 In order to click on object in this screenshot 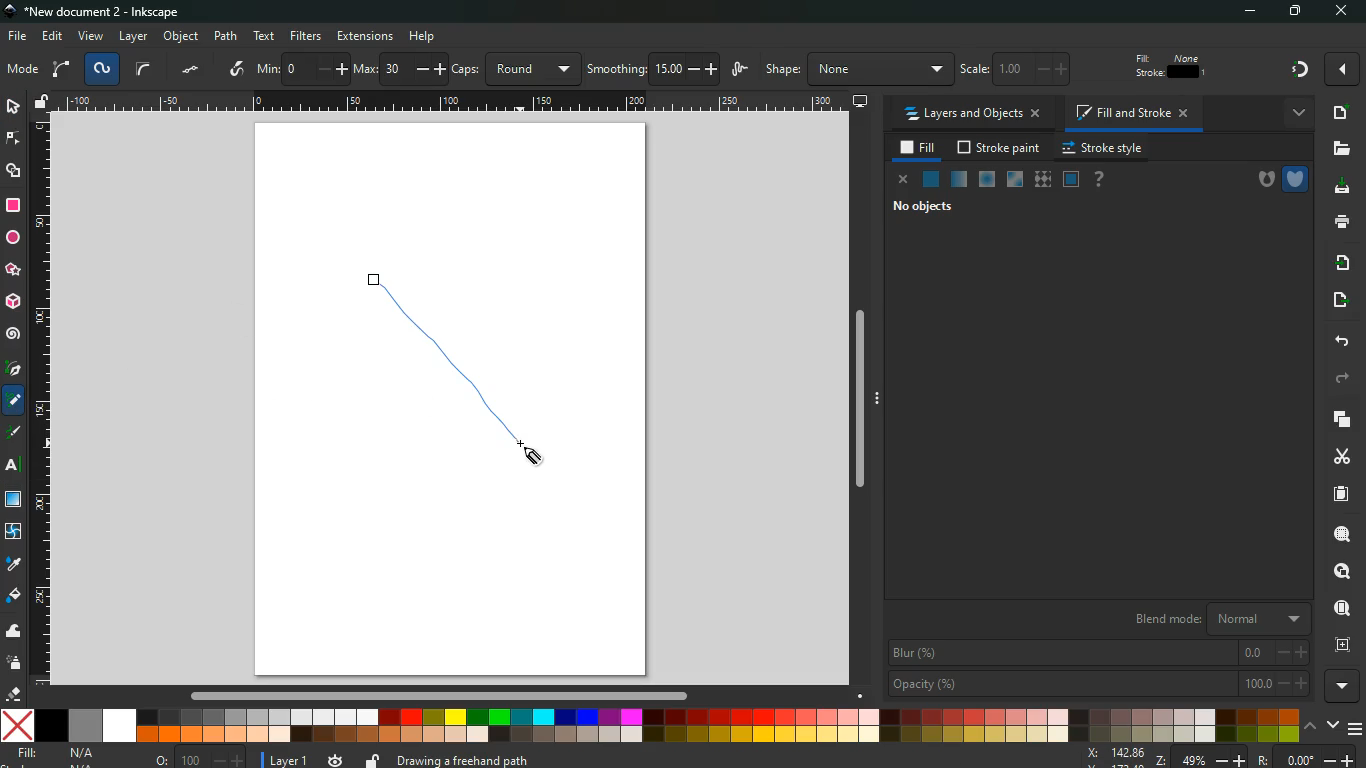, I will do `click(182, 35)`.